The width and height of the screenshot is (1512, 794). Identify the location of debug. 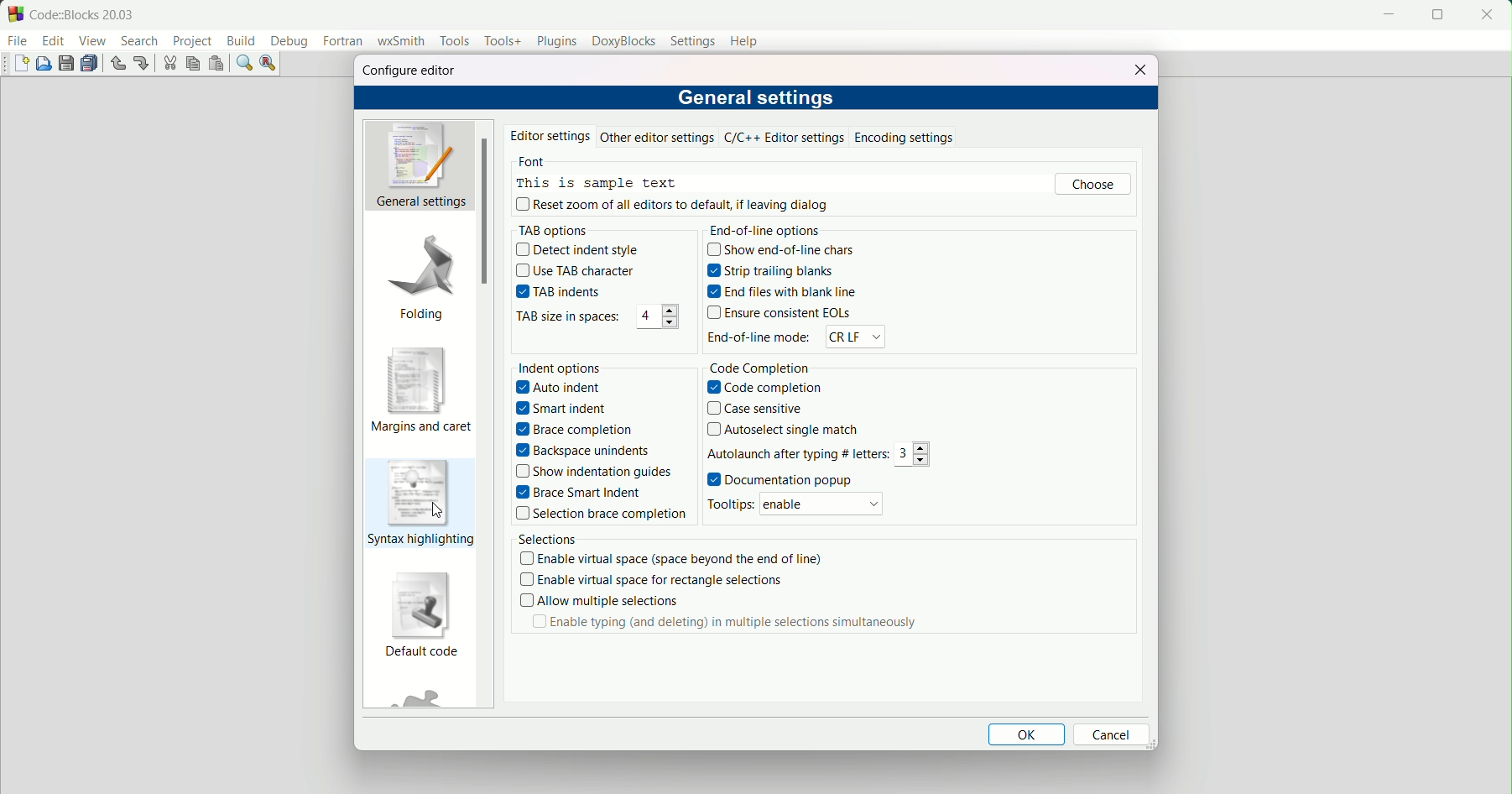
(290, 43).